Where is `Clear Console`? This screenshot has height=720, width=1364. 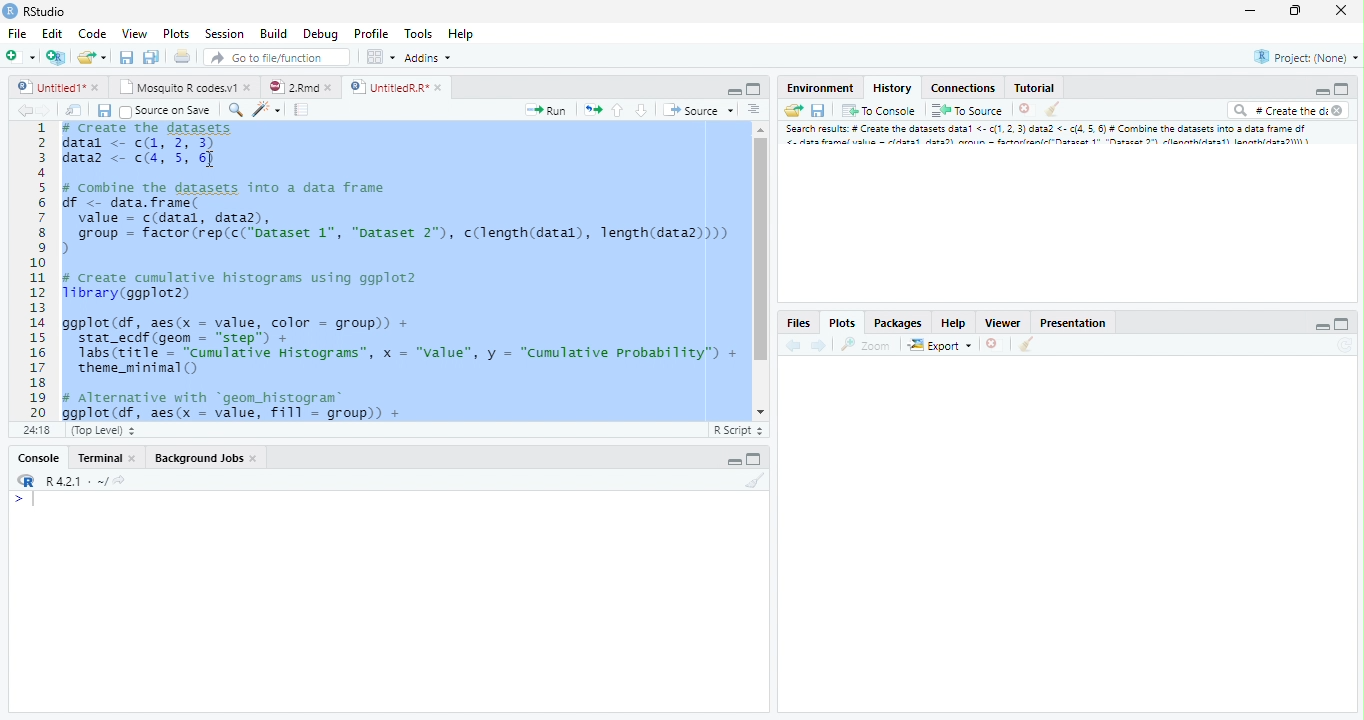 Clear Console is located at coordinates (760, 483).